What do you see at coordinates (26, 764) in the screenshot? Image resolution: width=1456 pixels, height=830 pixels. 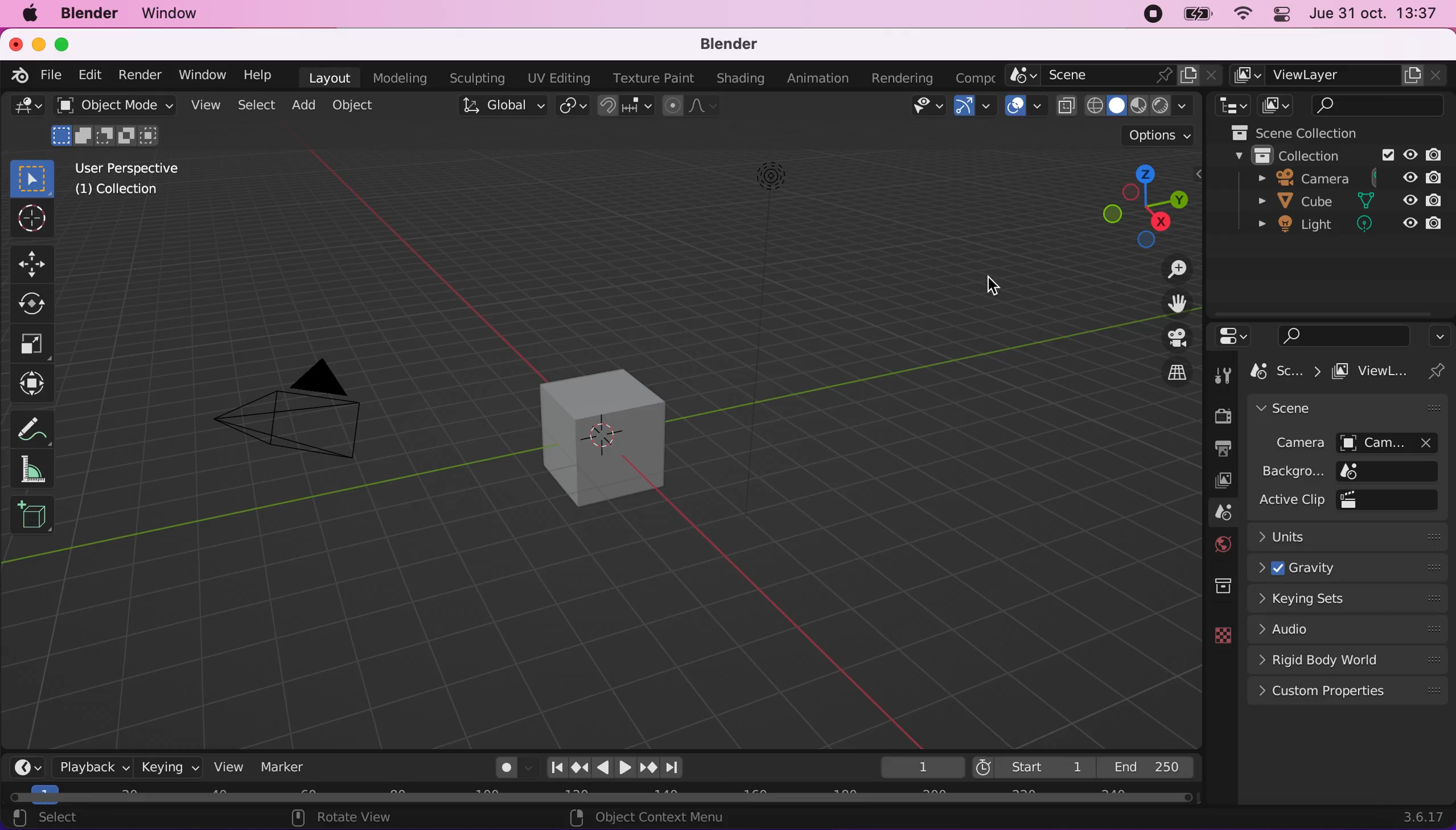 I see `editor type` at bounding box center [26, 764].